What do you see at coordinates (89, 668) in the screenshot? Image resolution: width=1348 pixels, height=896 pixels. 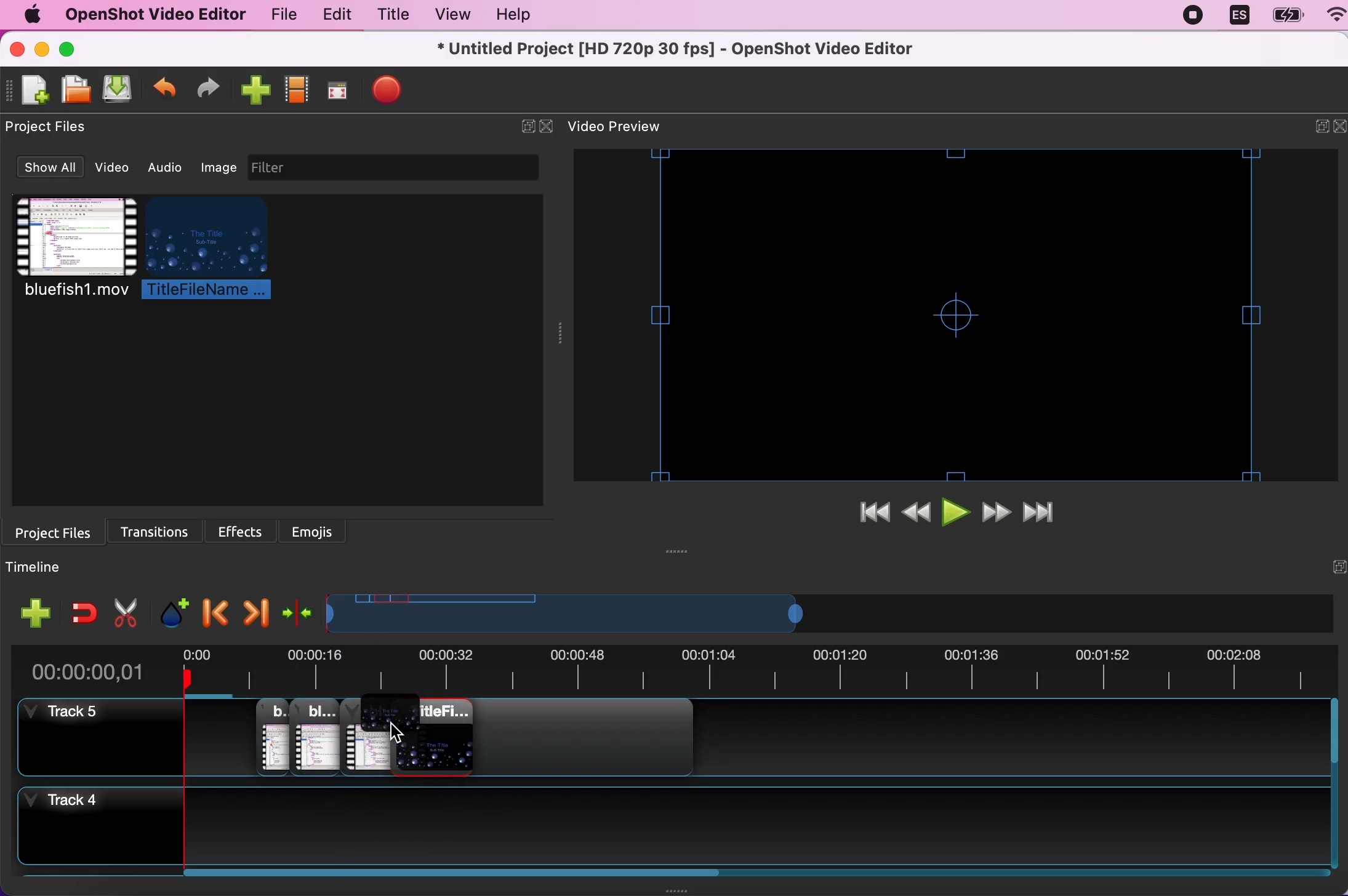 I see `00:00:00,01` at bounding box center [89, 668].